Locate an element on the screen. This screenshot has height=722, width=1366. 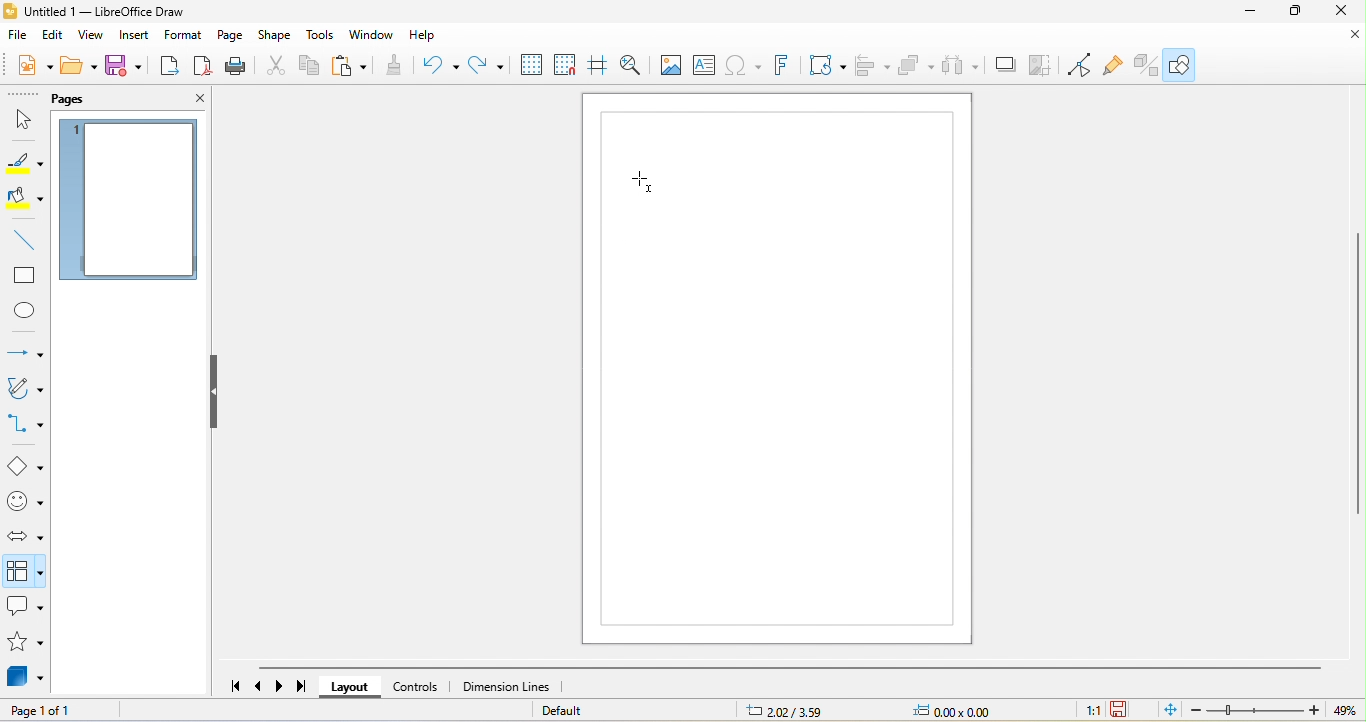
shape is located at coordinates (276, 36).